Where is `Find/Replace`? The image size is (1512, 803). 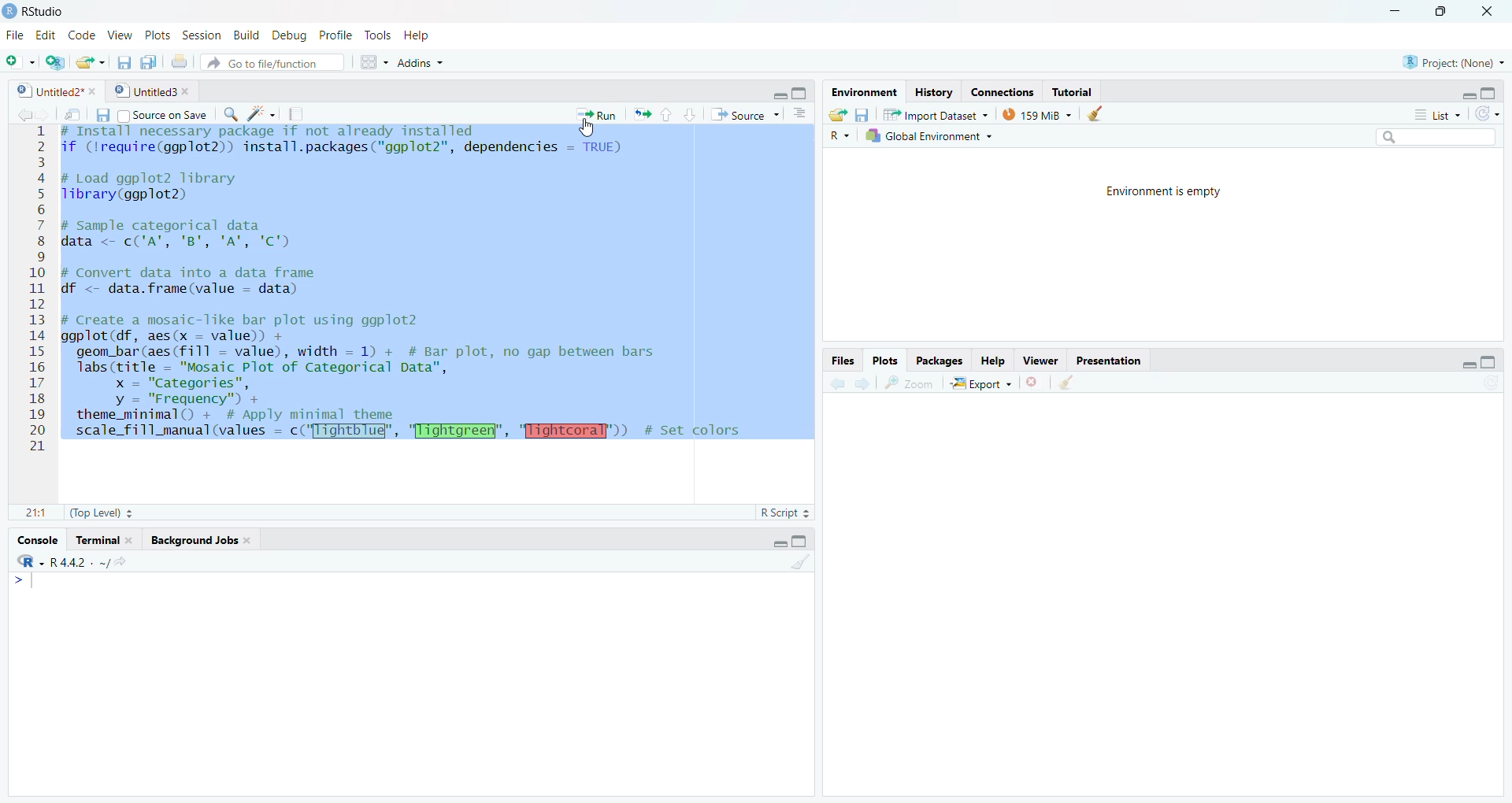
Find/Replace is located at coordinates (230, 113).